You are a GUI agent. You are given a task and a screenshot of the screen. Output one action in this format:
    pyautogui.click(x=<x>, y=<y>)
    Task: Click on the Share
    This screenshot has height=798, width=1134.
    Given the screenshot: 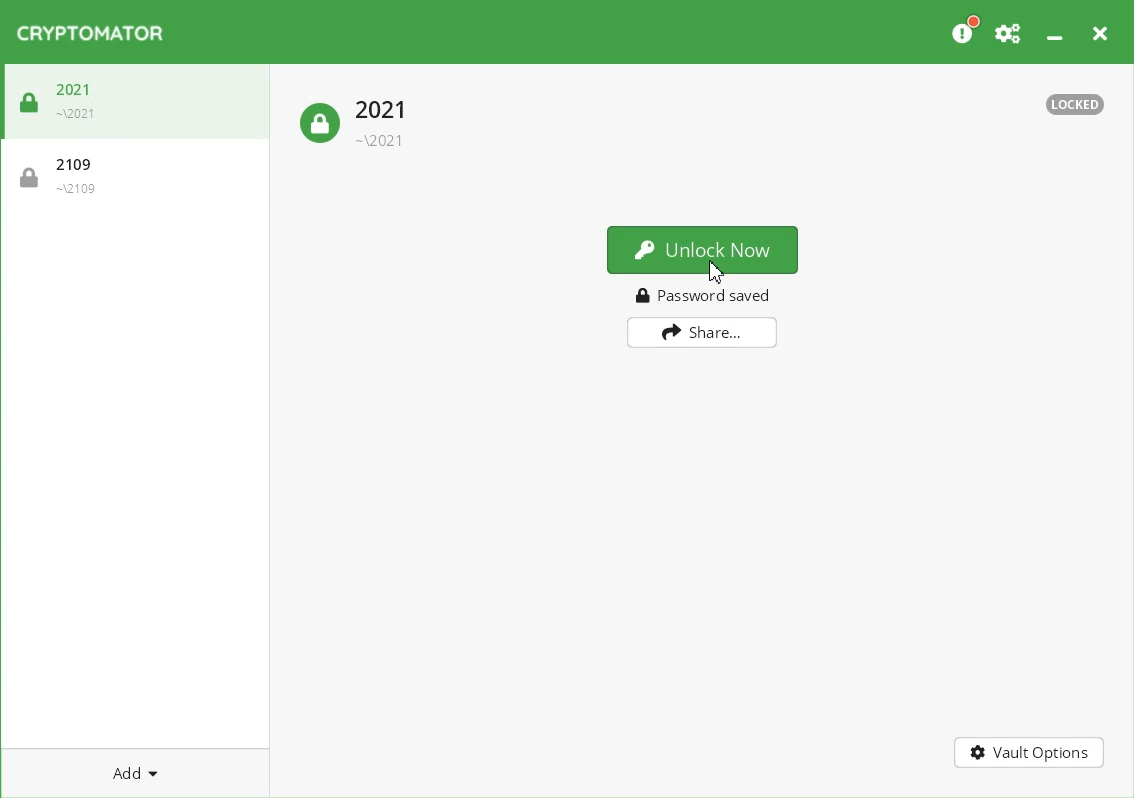 What is the action you would take?
    pyautogui.click(x=702, y=332)
    